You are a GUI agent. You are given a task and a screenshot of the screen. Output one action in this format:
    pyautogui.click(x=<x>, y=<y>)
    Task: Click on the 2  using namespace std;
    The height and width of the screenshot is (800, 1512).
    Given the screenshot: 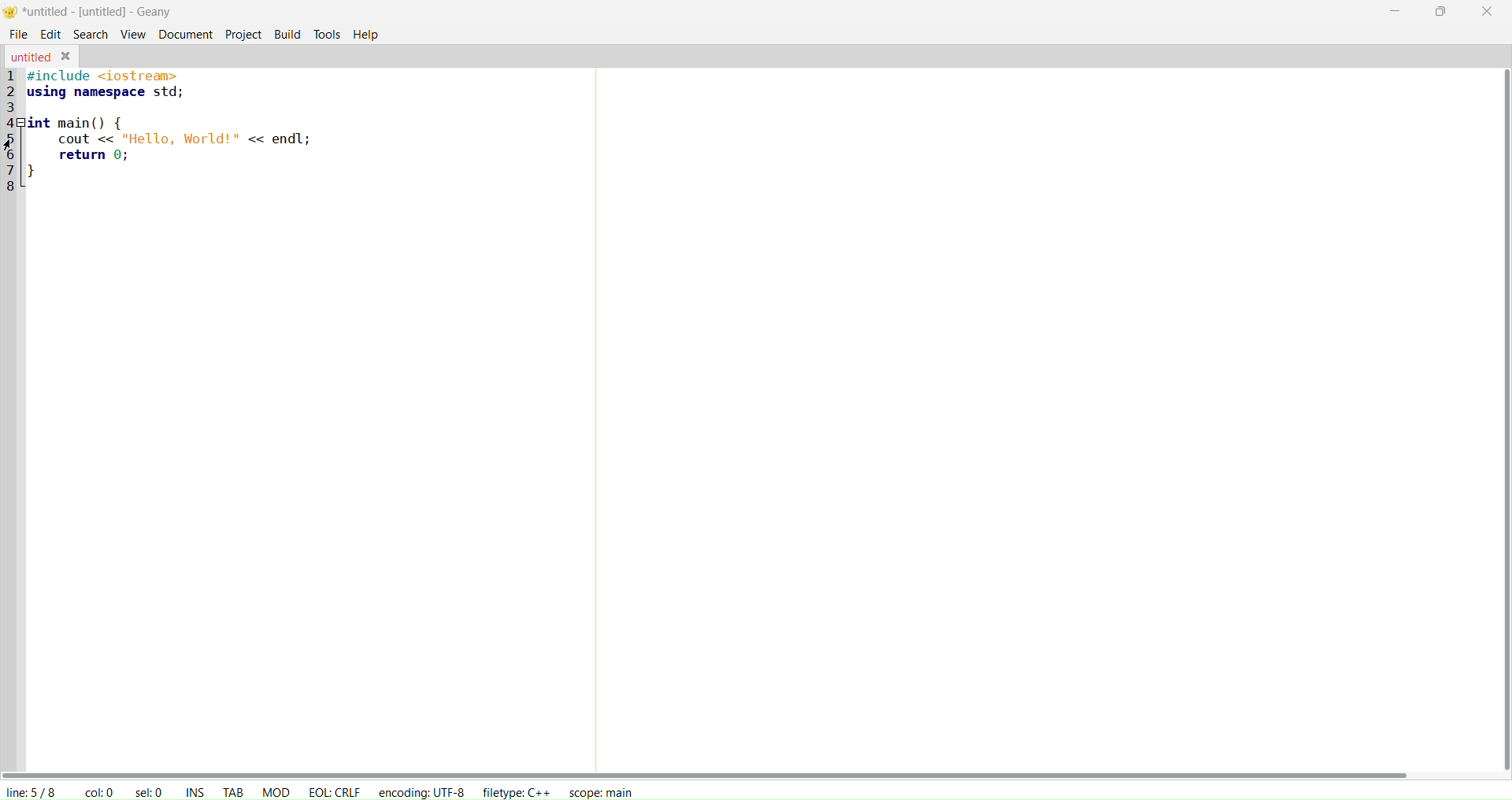 What is the action you would take?
    pyautogui.click(x=101, y=93)
    